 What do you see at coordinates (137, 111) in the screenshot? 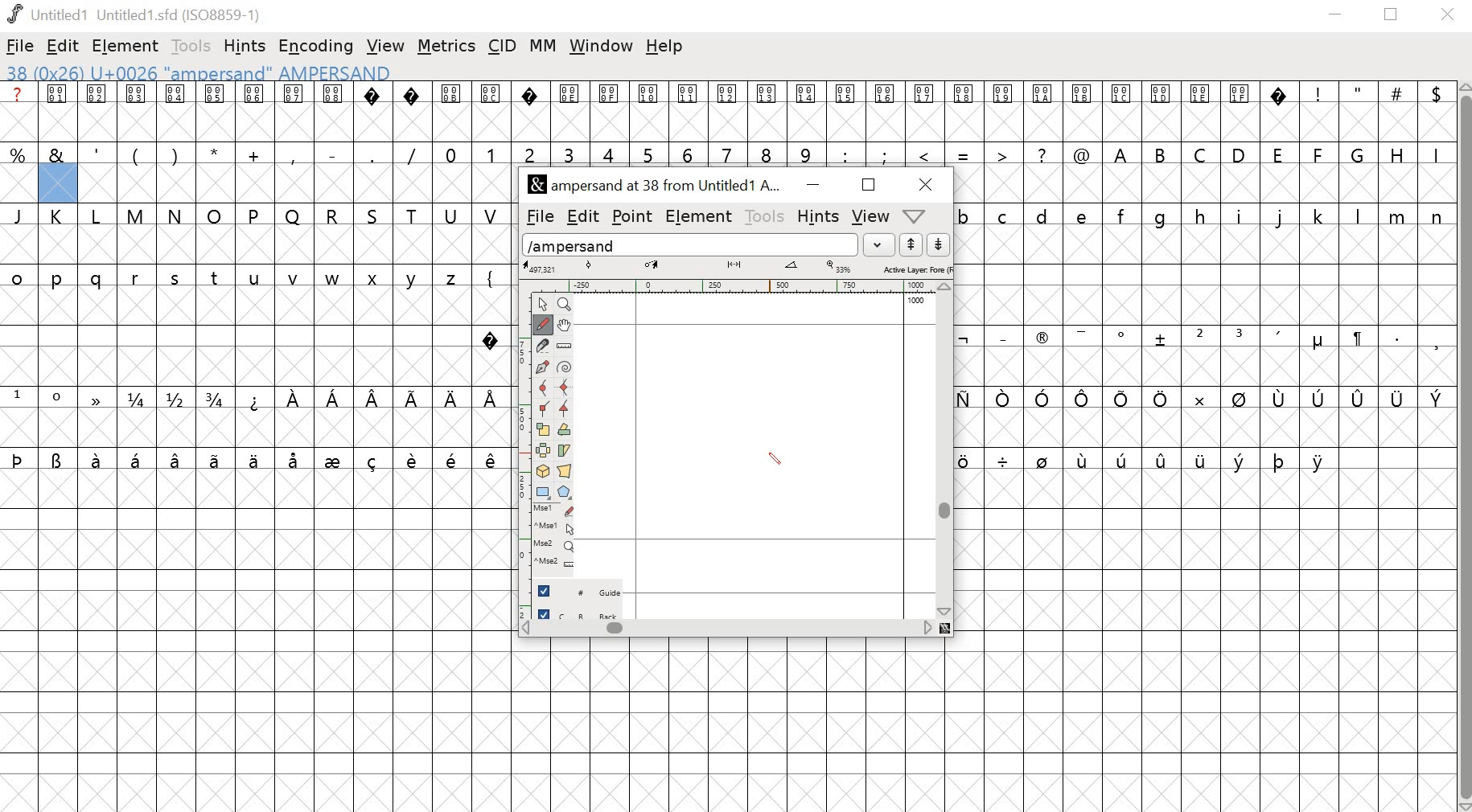
I see `0003` at bounding box center [137, 111].